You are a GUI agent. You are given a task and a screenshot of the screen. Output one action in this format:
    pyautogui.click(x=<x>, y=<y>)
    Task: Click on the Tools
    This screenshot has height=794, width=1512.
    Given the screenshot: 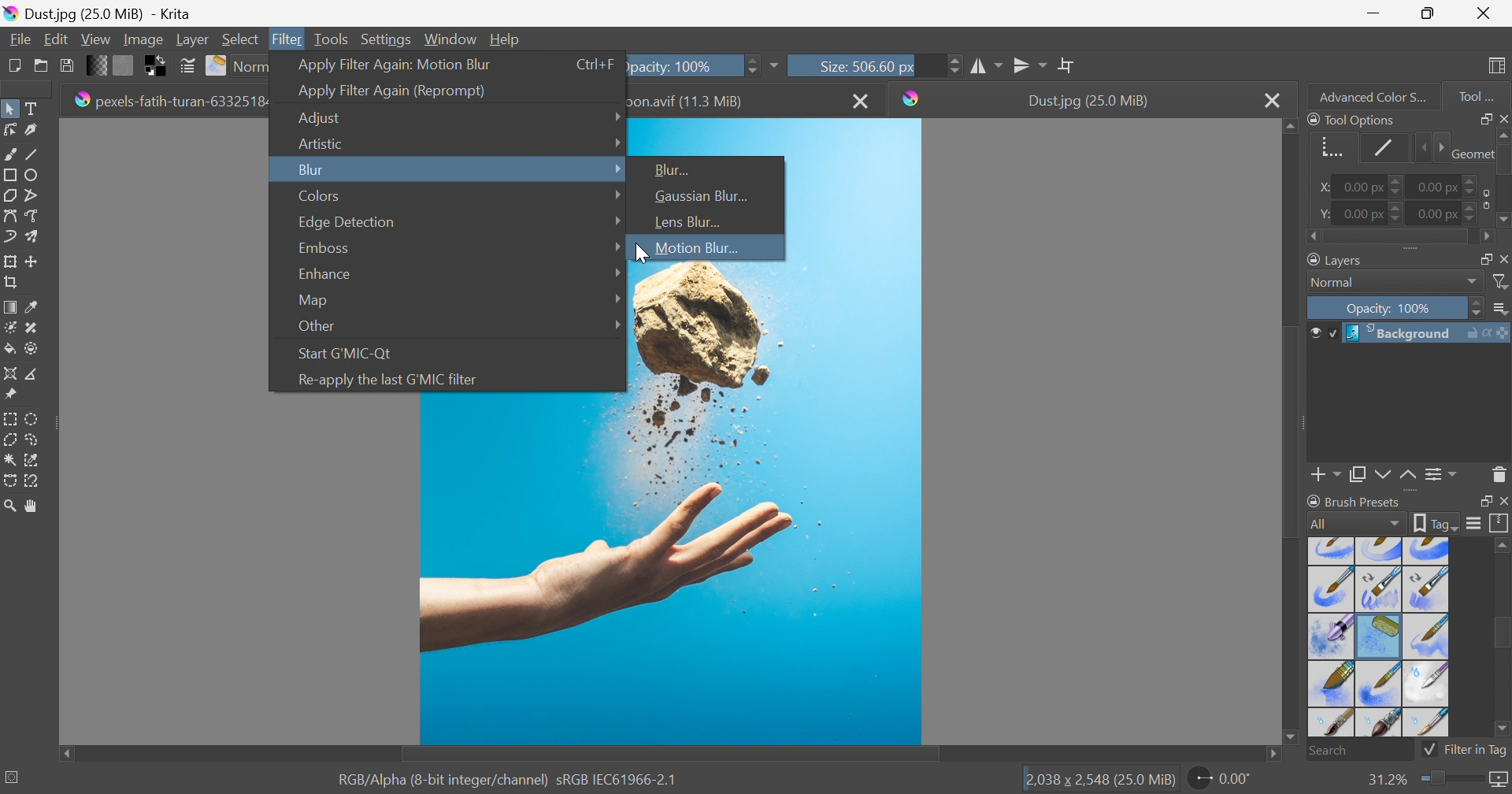 What is the action you would take?
    pyautogui.click(x=331, y=38)
    